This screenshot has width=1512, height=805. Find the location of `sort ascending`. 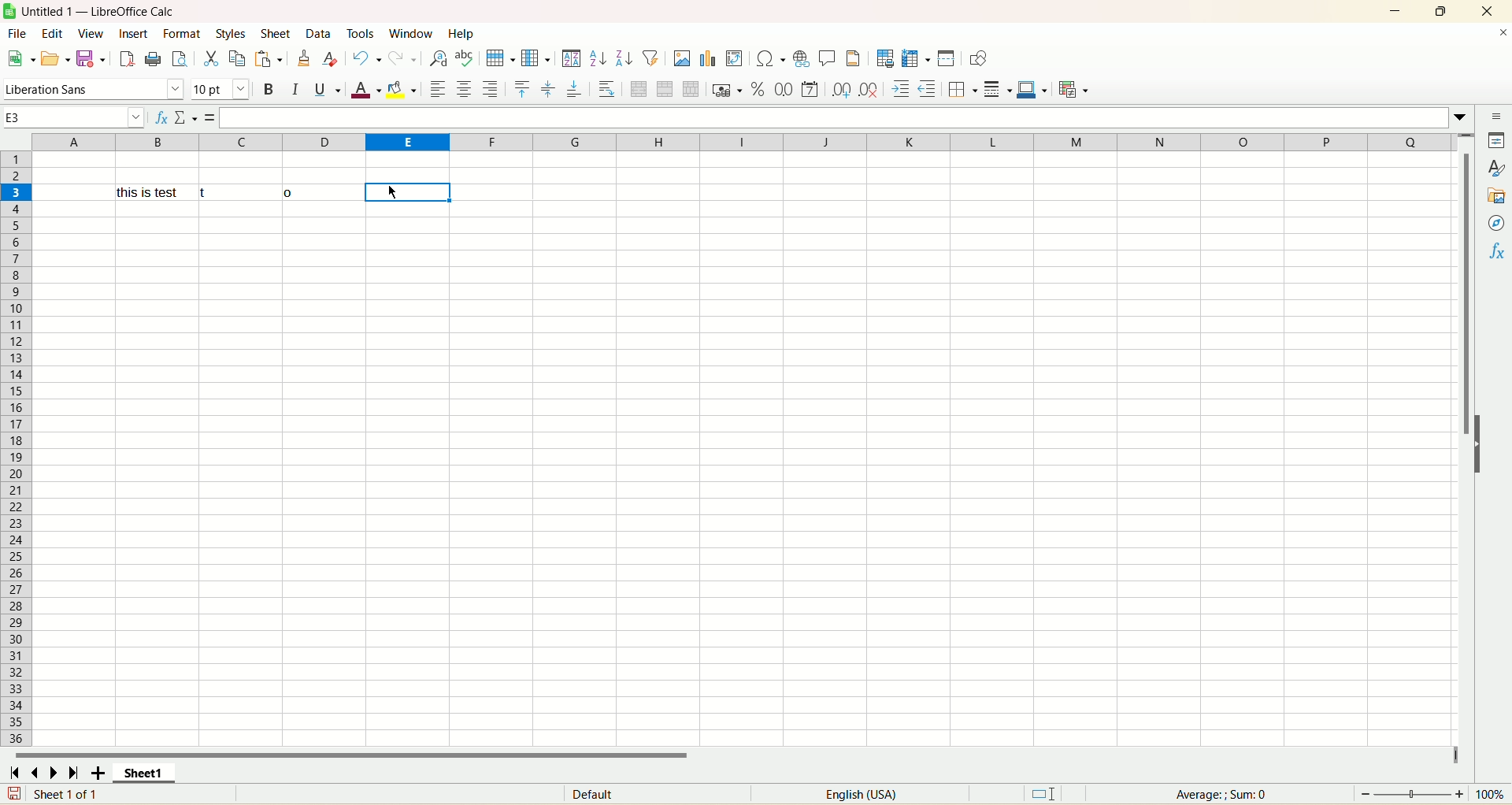

sort ascending is located at coordinates (596, 60).